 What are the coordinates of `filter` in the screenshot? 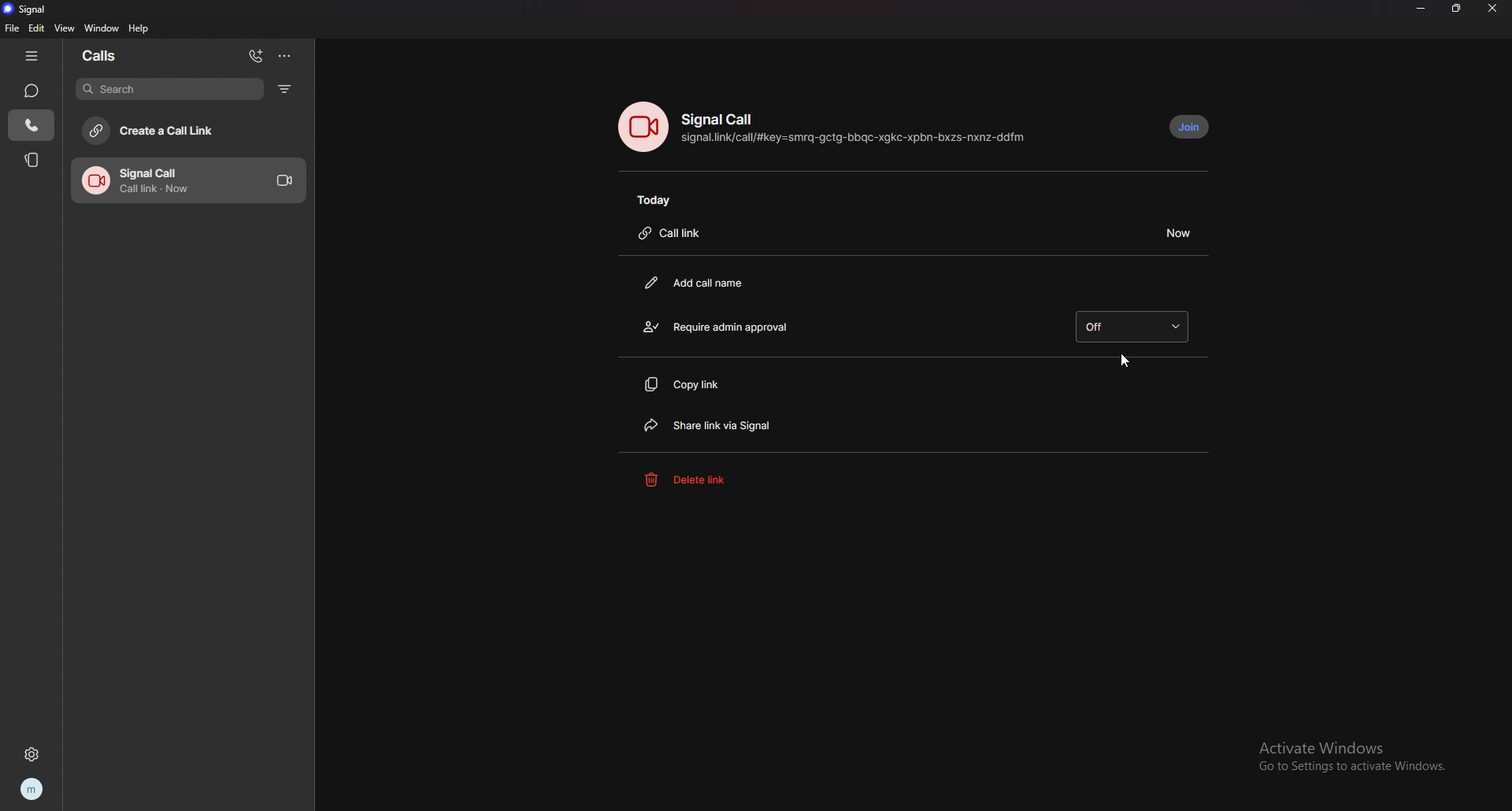 It's located at (286, 89).